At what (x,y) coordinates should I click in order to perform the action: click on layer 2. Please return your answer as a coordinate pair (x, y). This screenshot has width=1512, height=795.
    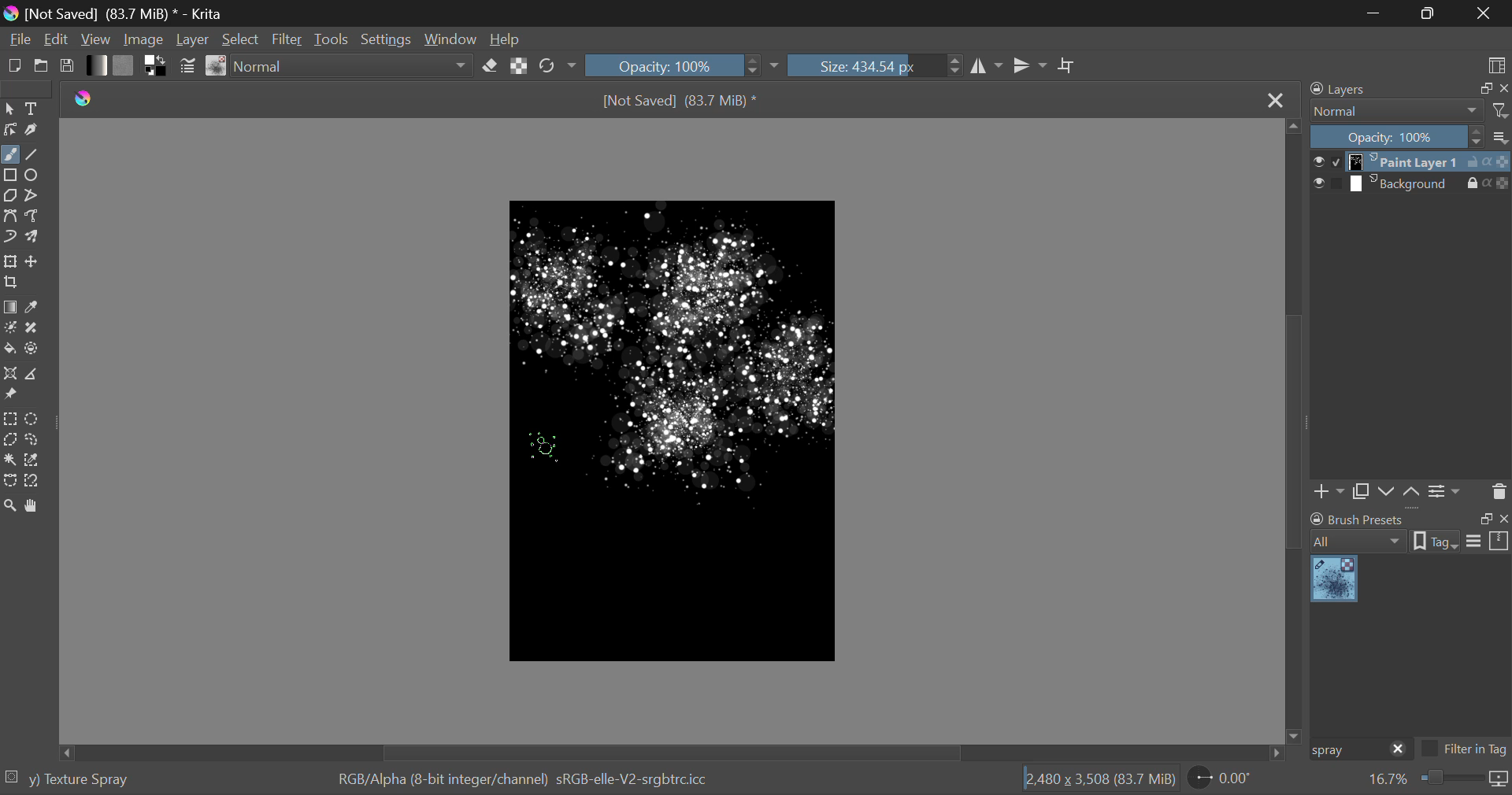
    Looking at the image, I should click on (1405, 184).